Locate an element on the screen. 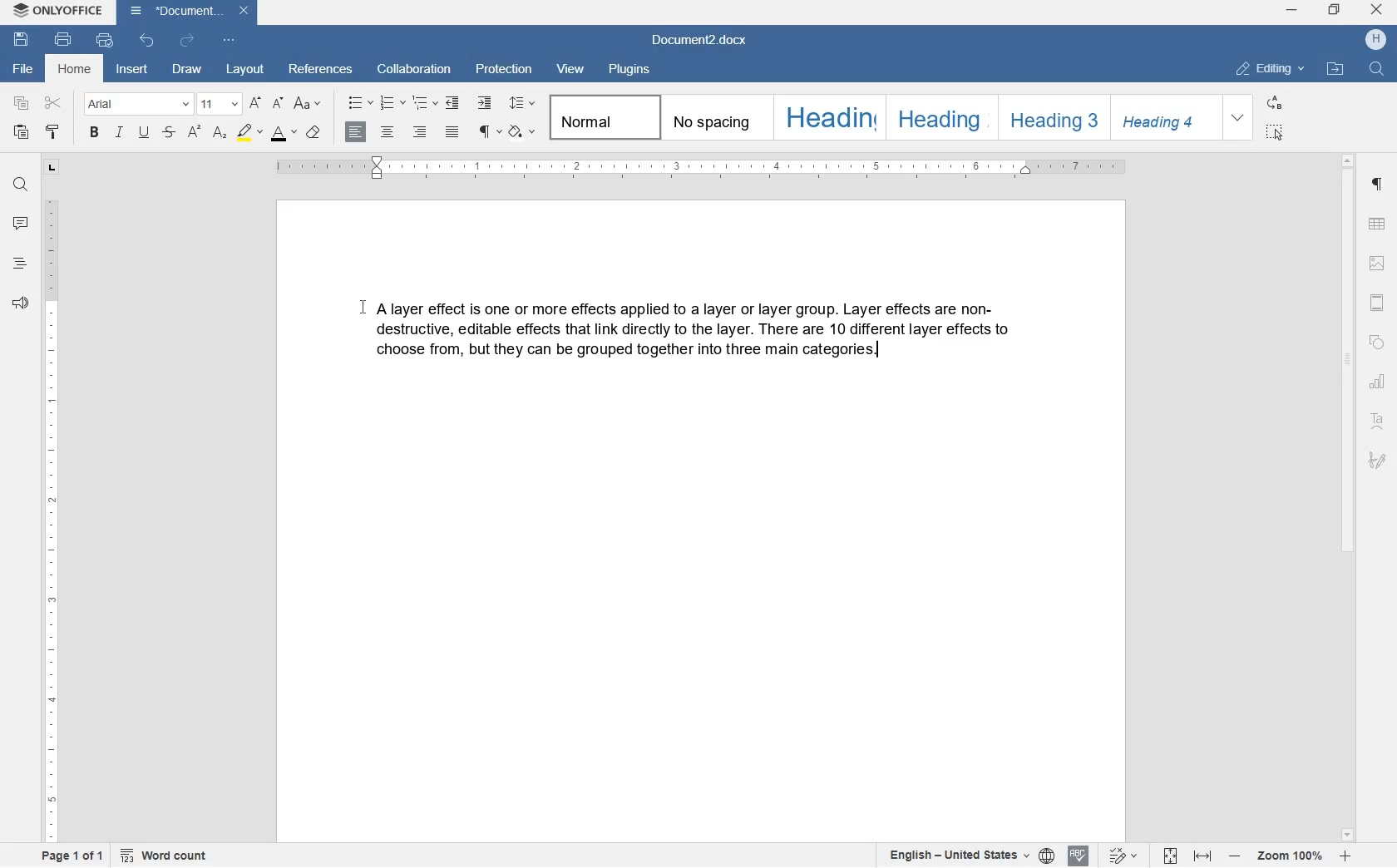 This screenshot has height=868, width=1397. feedback & support is located at coordinates (19, 303).